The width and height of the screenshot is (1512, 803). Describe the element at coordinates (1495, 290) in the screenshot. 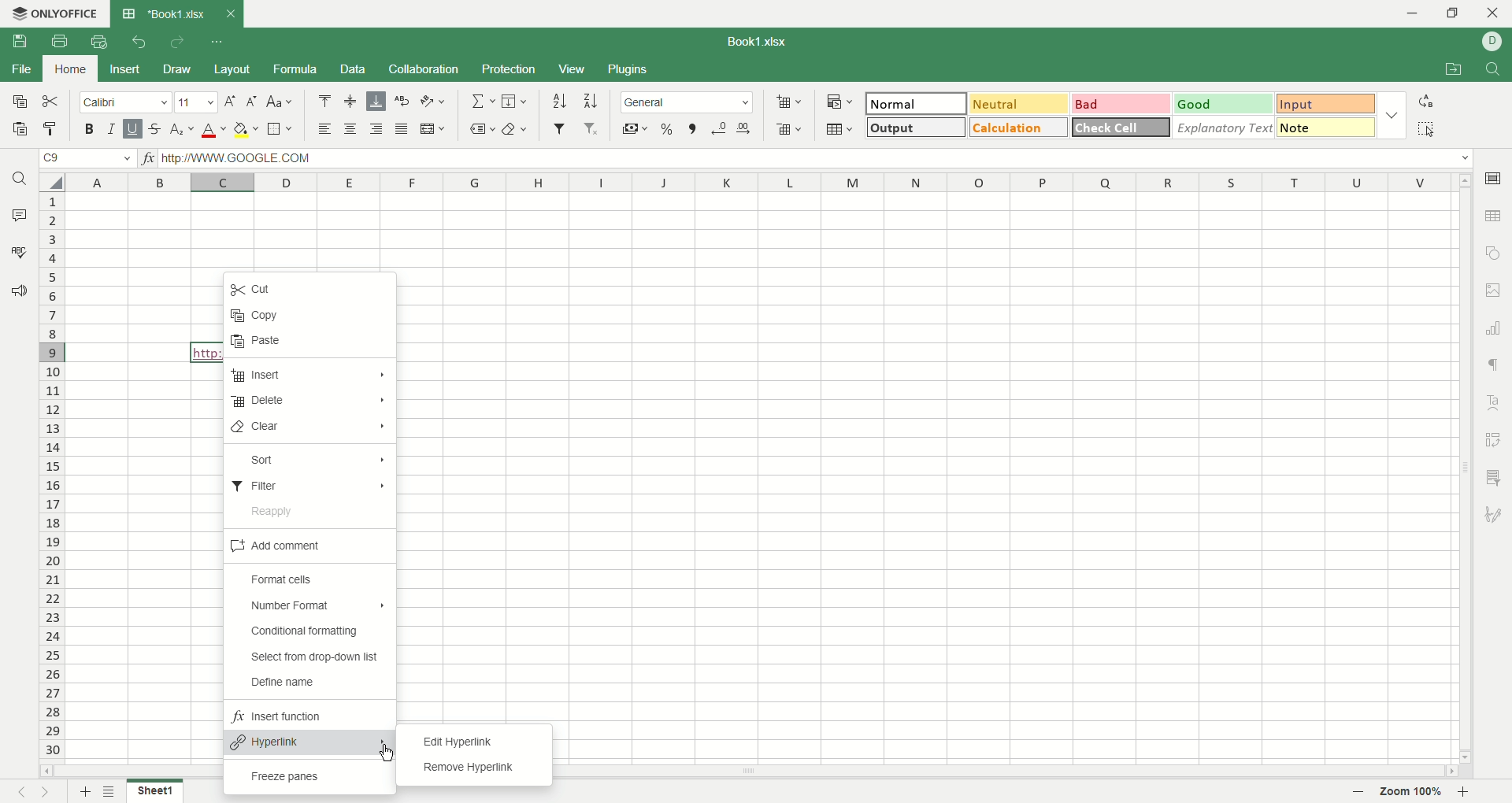

I see `image settings` at that location.